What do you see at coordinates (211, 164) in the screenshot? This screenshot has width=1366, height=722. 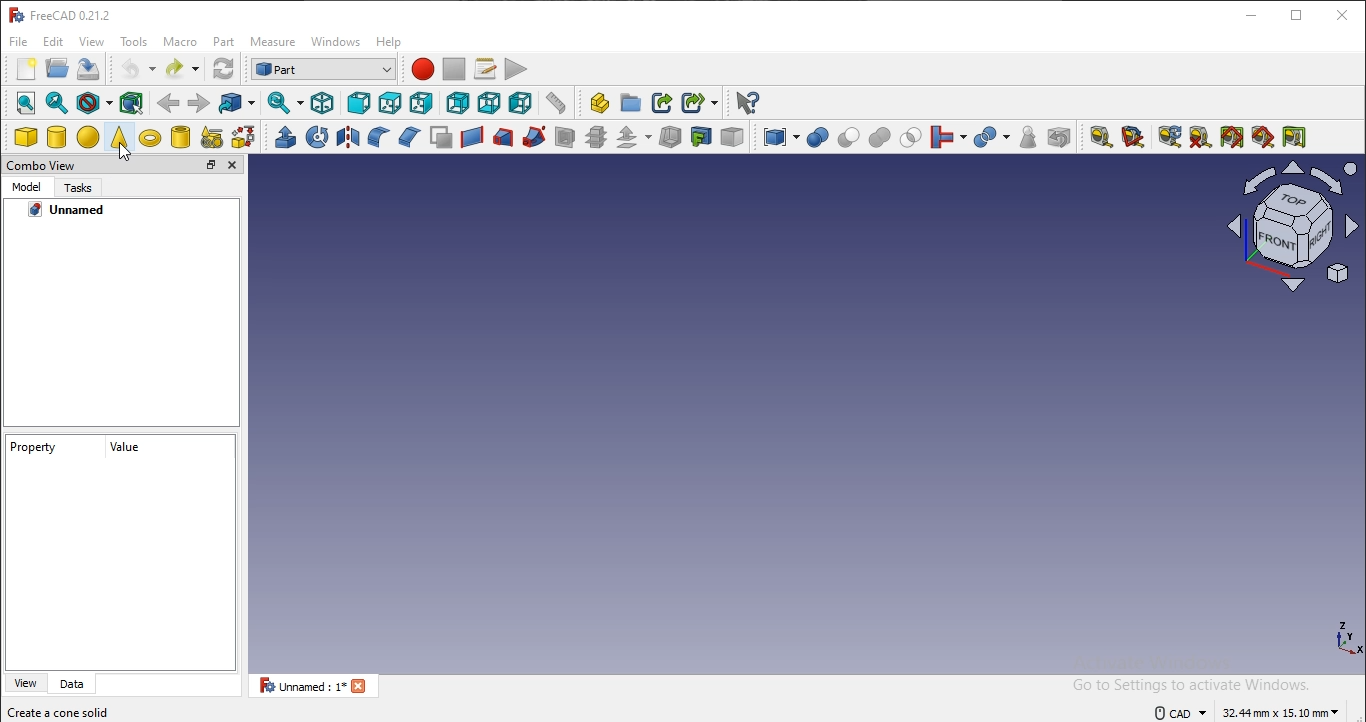 I see `restore tab` at bounding box center [211, 164].